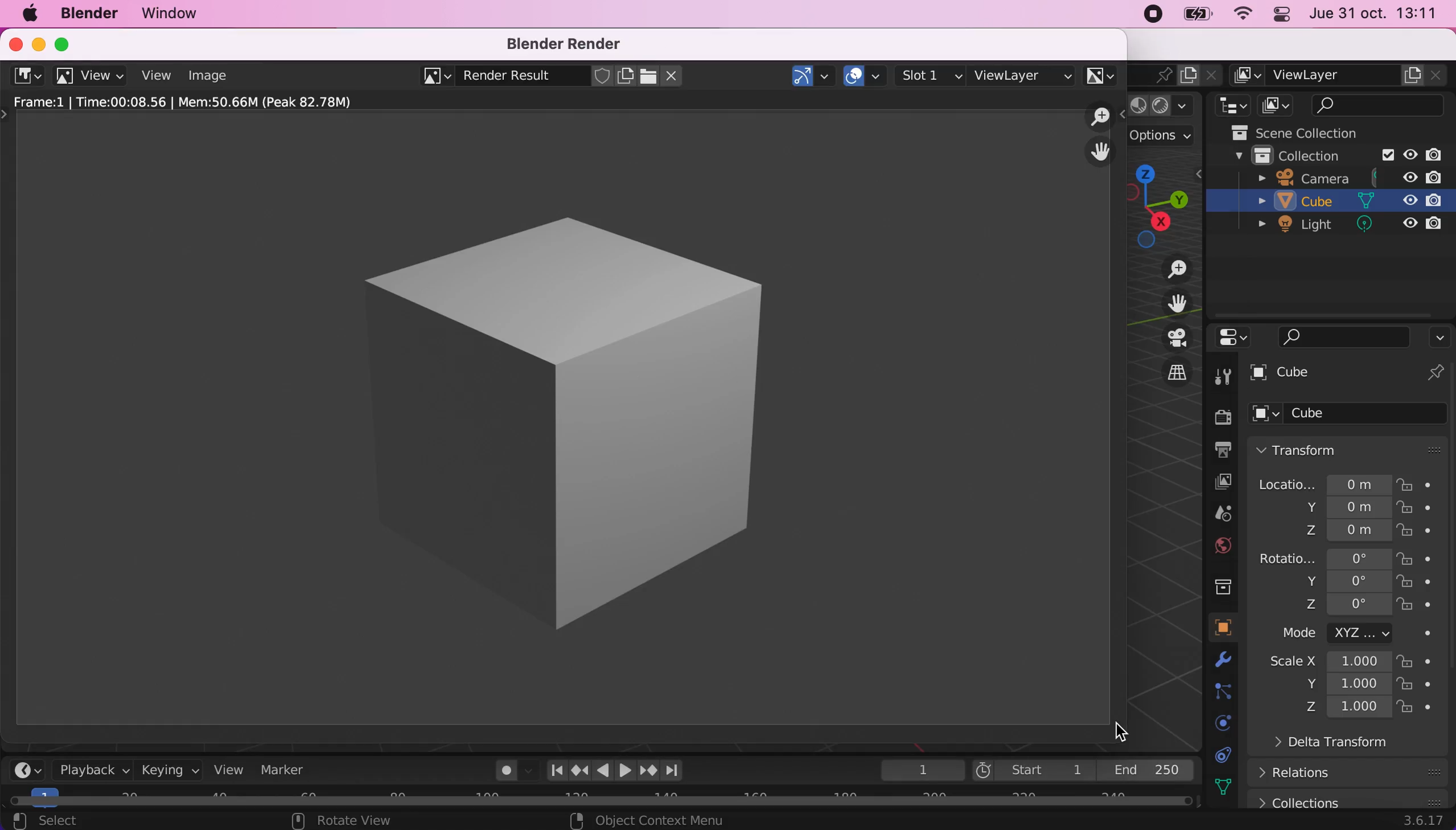  I want to click on Jump to previous keyframe, so click(578, 768).